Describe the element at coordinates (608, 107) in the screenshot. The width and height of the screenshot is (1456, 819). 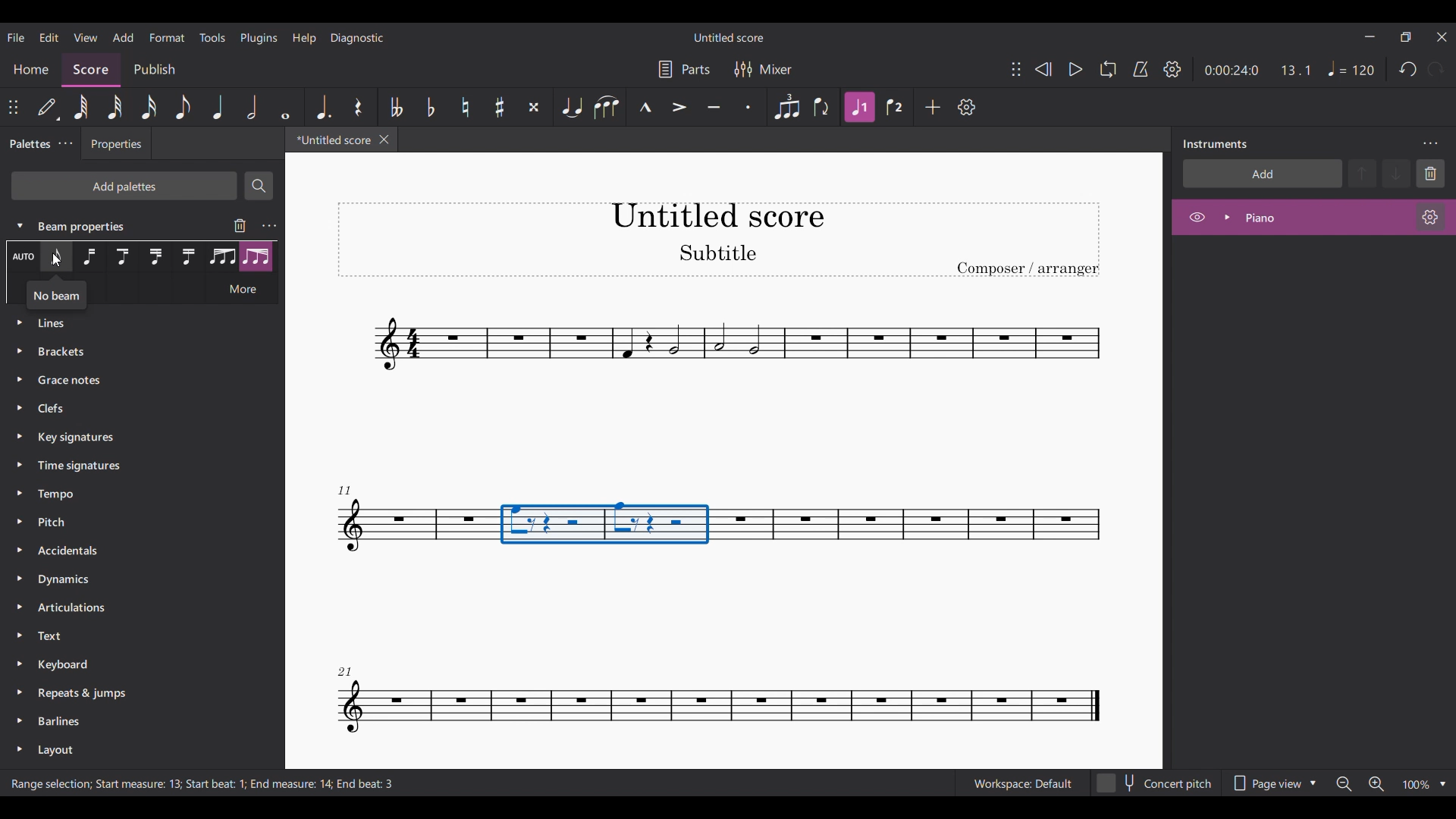
I see `Slur` at that location.